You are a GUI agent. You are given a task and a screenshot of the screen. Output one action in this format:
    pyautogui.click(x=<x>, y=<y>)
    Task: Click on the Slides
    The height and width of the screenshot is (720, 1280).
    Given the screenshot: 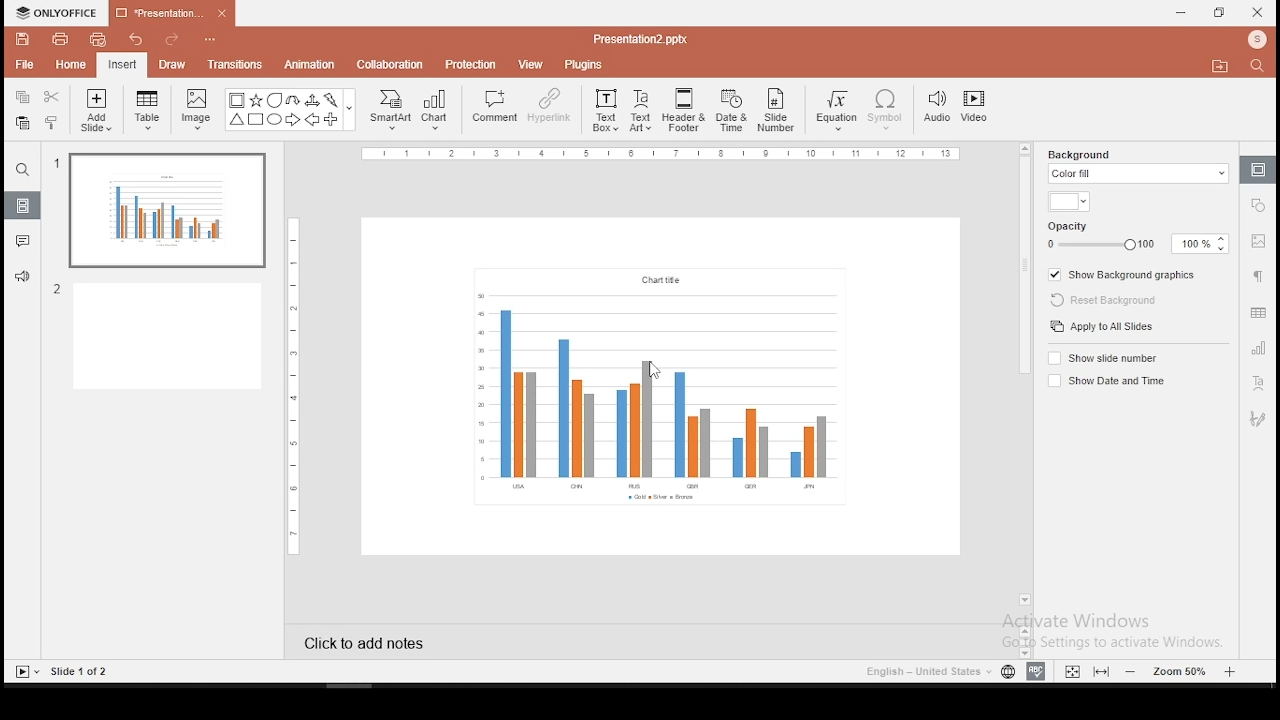 What is the action you would take?
    pyautogui.click(x=62, y=670)
    